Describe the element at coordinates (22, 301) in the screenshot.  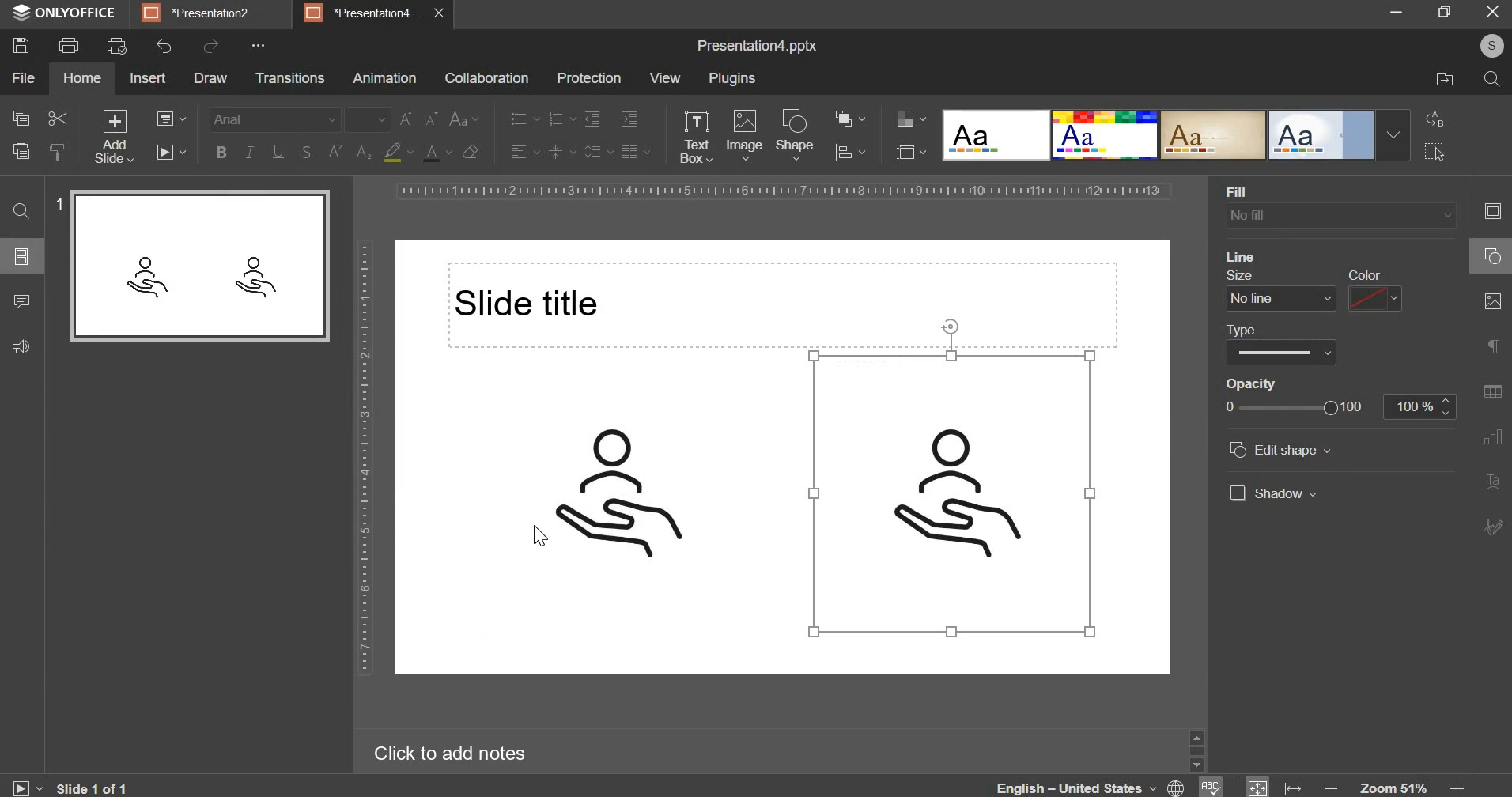
I see `comments` at that location.